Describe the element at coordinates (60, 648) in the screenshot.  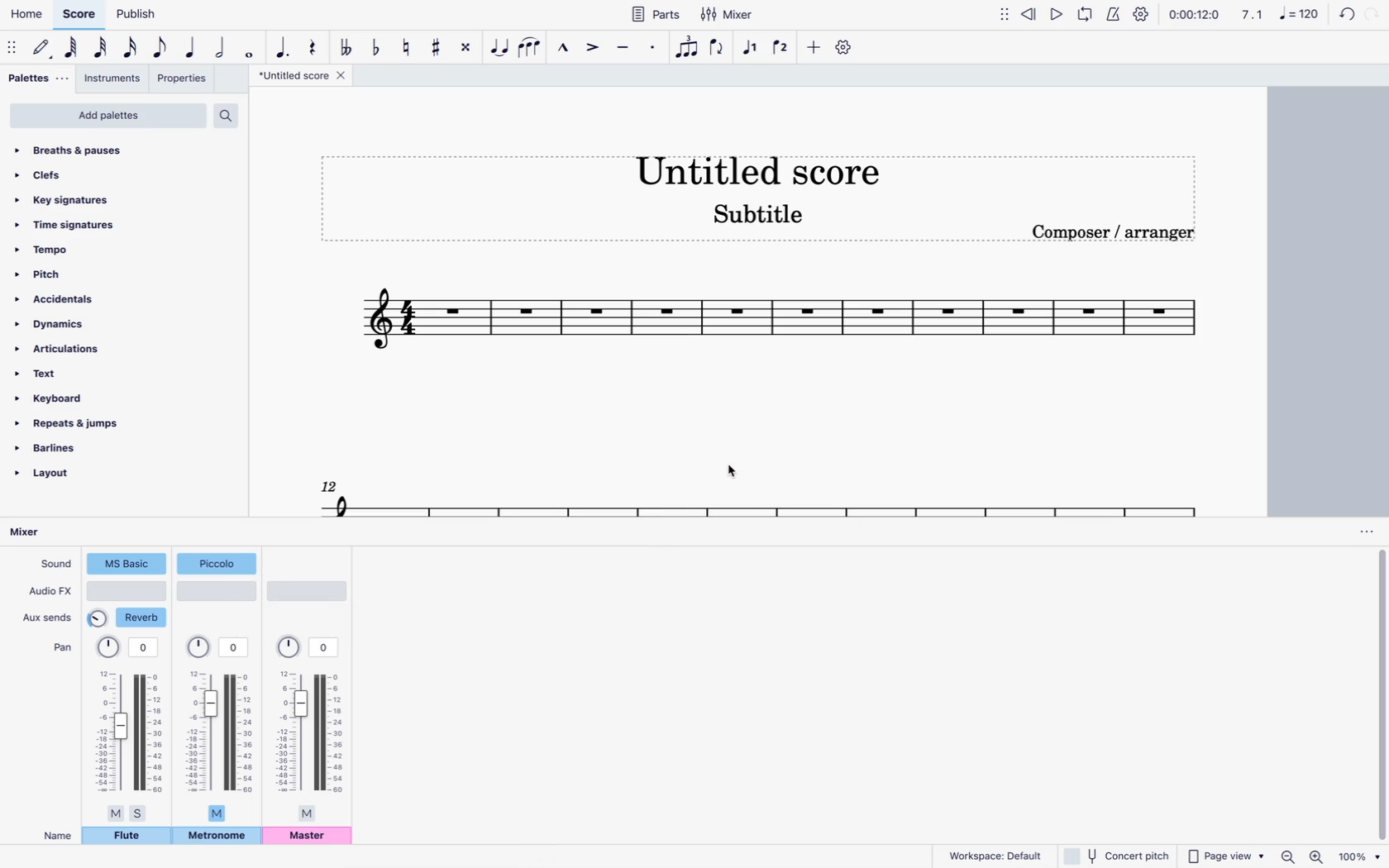
I see `pan` at that location.